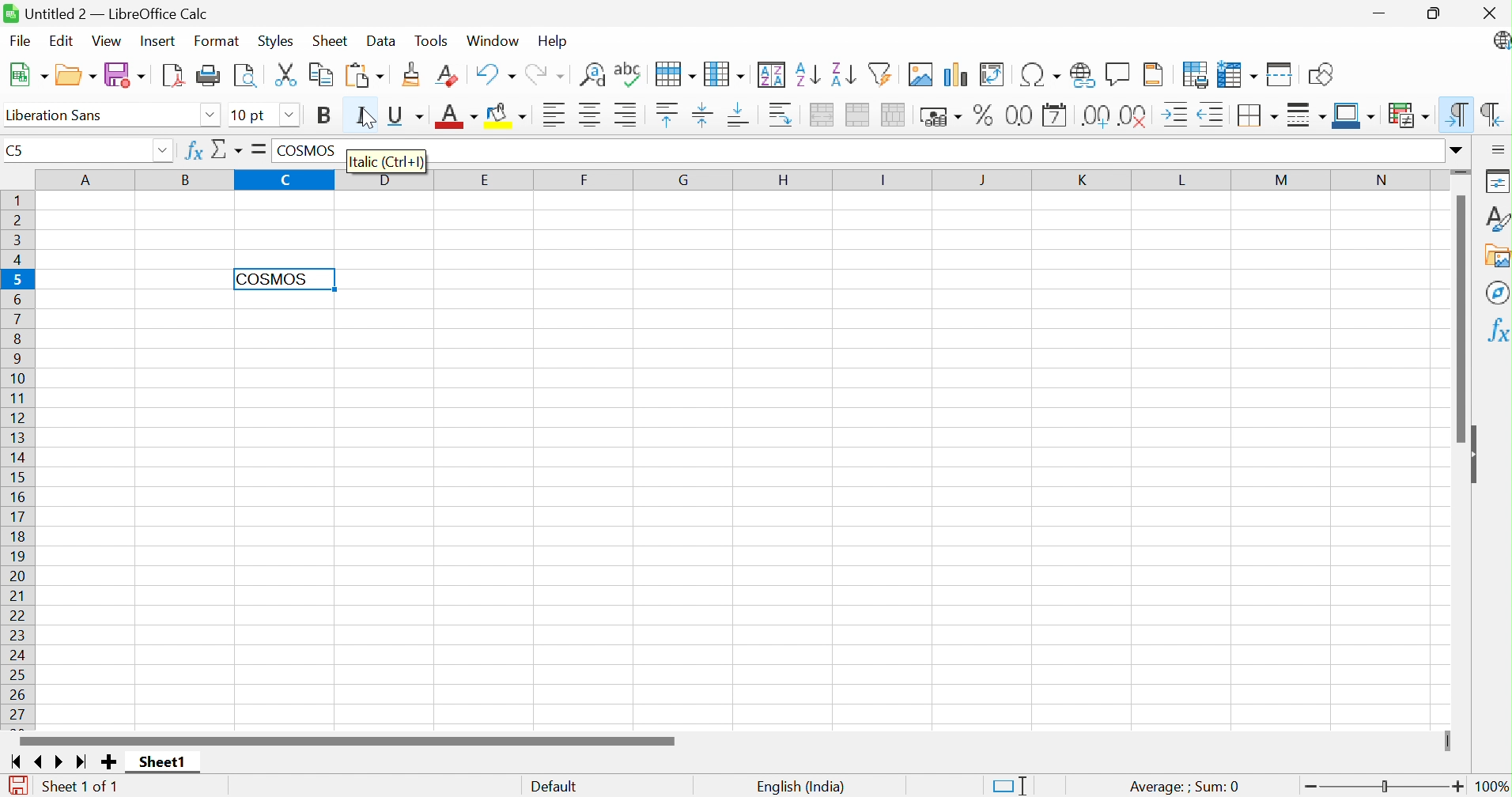 This screenshot has height=797, width=1512. I want to click on The document has been modified. Click to save the document., so click(18, 786).